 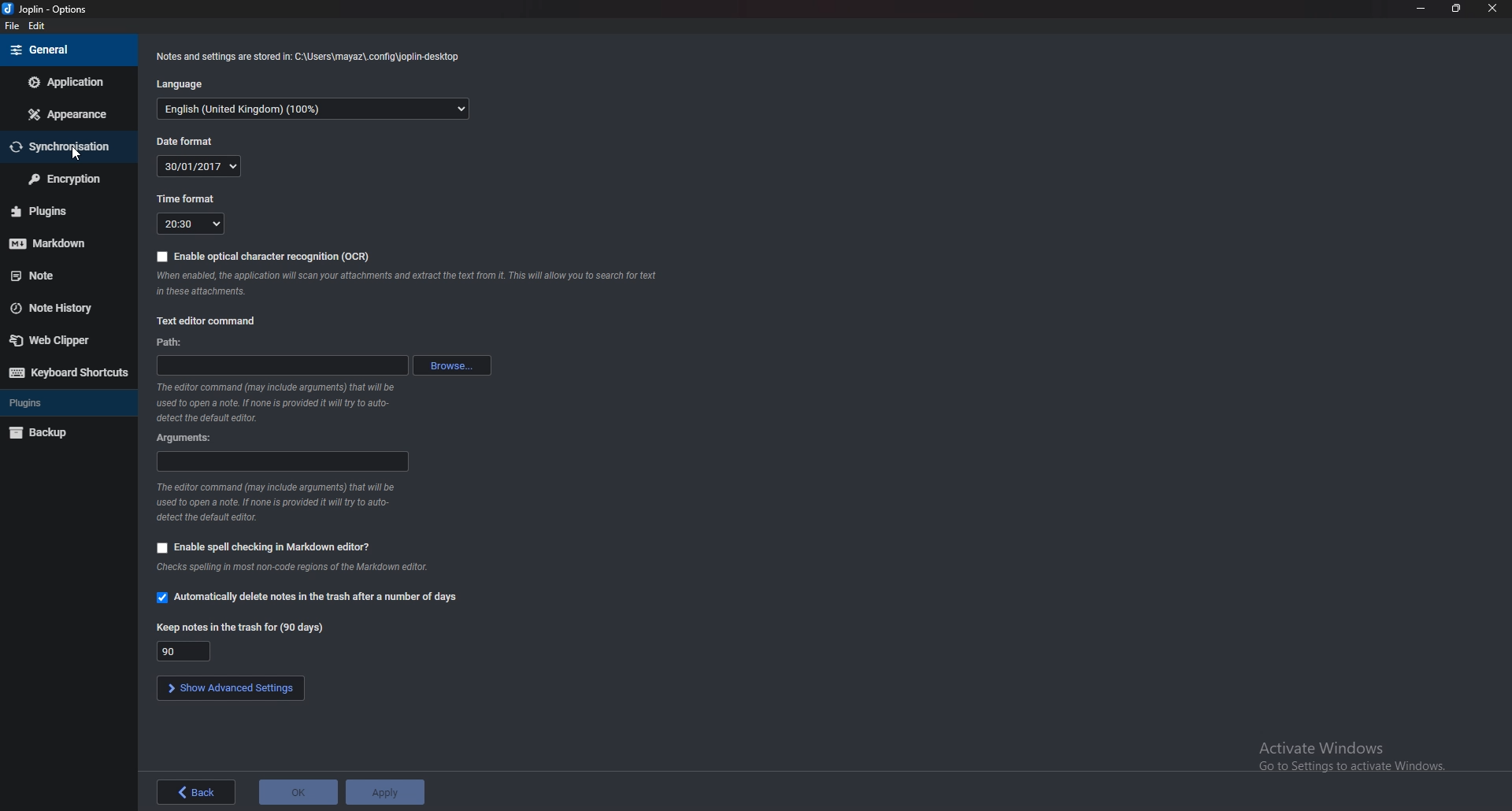 I want to click on file, so click(x=10, y=27).